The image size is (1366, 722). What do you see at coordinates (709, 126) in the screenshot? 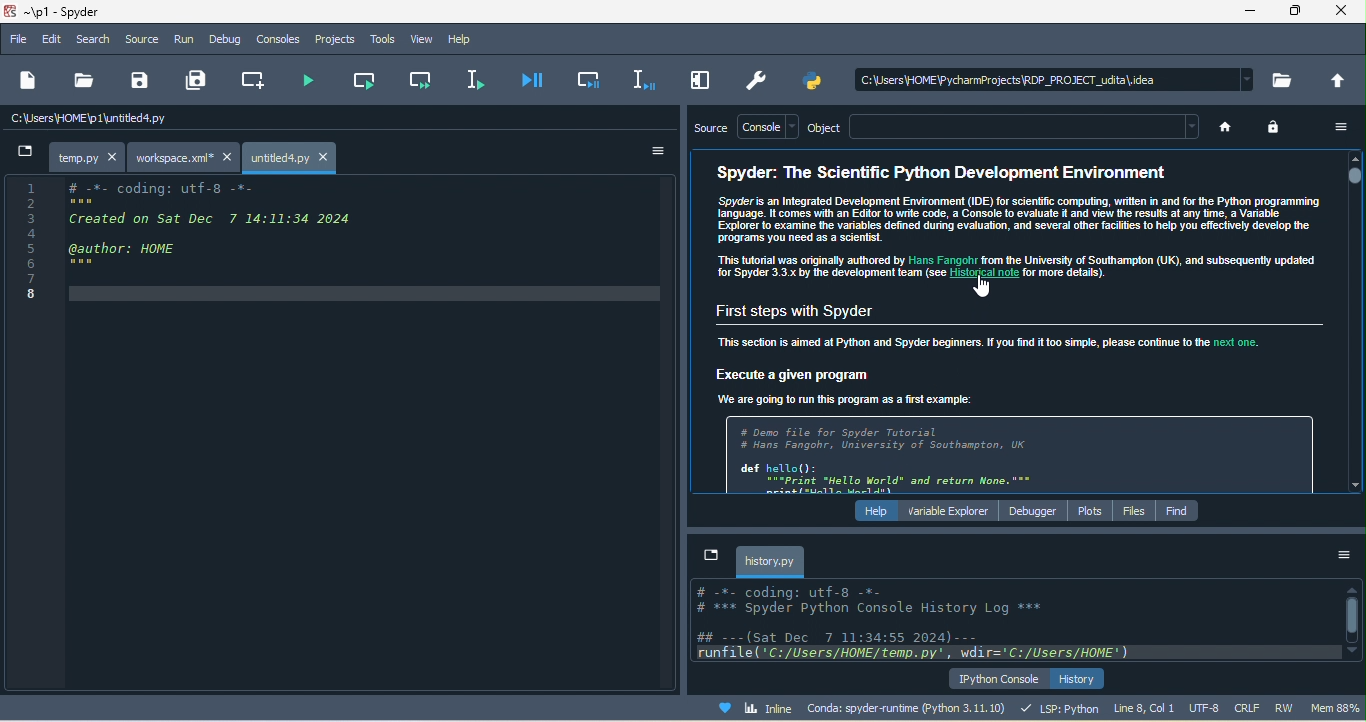
I see `source` at bounding box center [709, 126].